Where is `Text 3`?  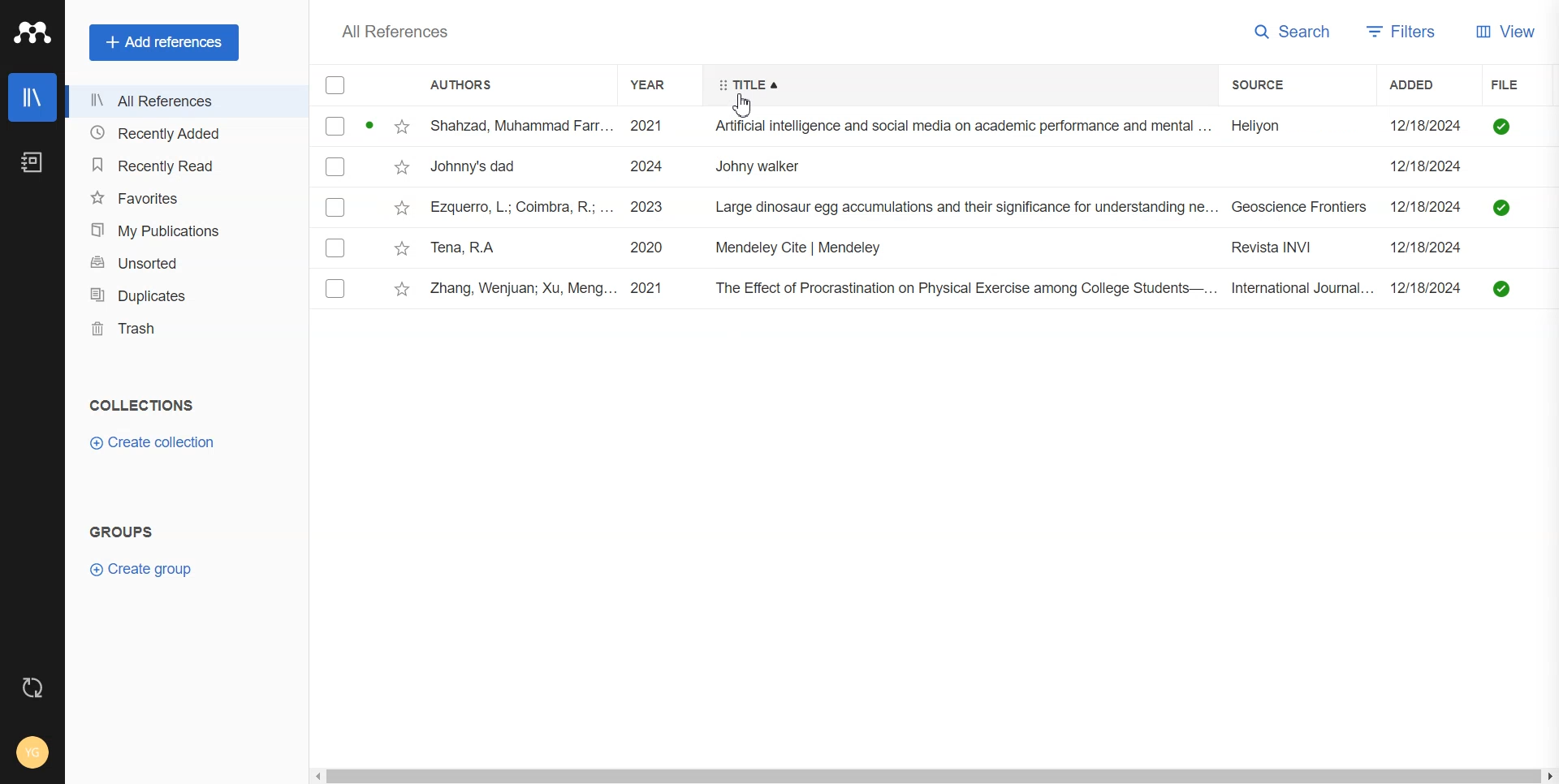 Text 3 is located at coordinates (393, 32).